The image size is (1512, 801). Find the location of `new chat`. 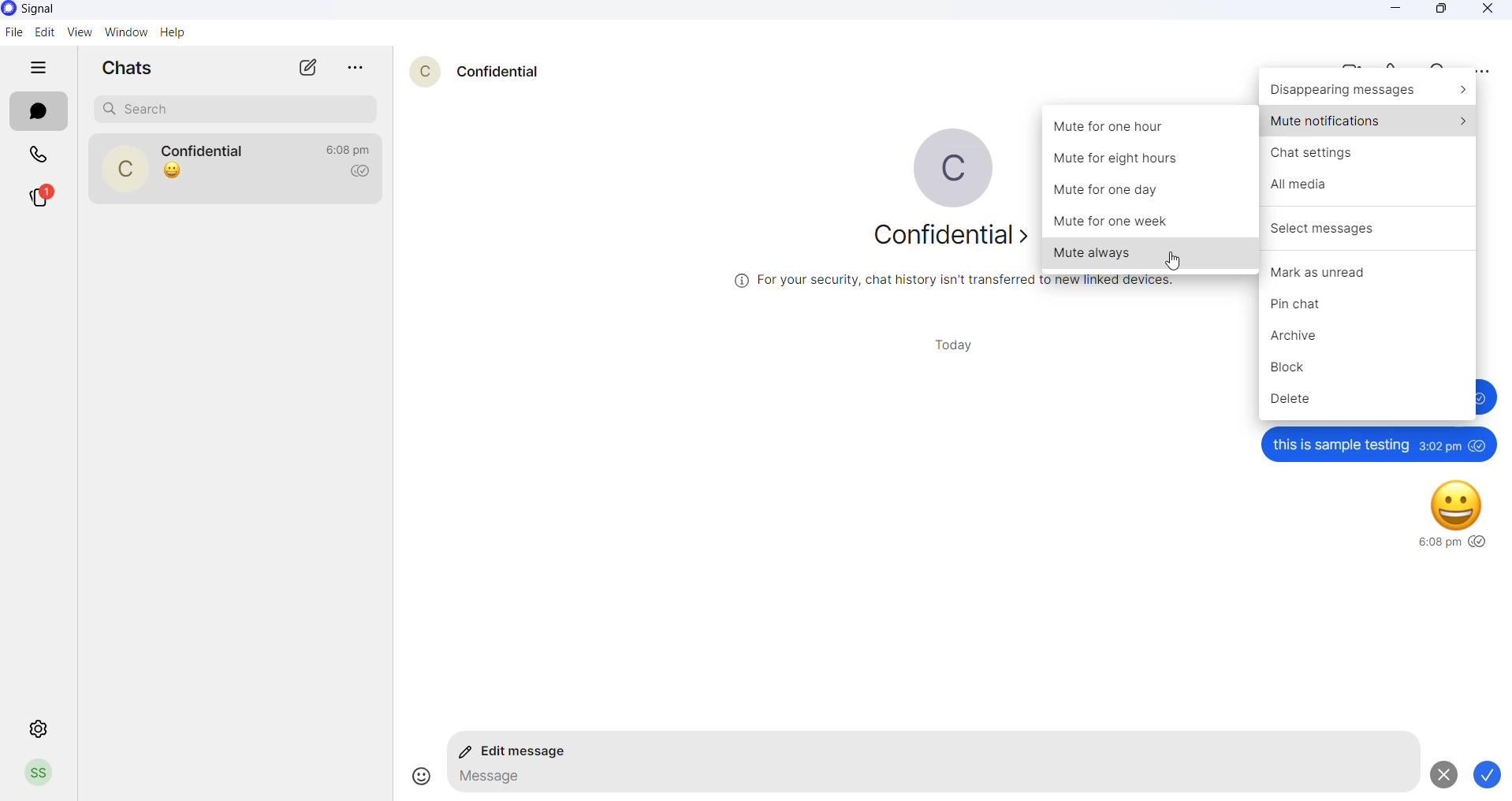

new chat is located at coordinates (308, 67).